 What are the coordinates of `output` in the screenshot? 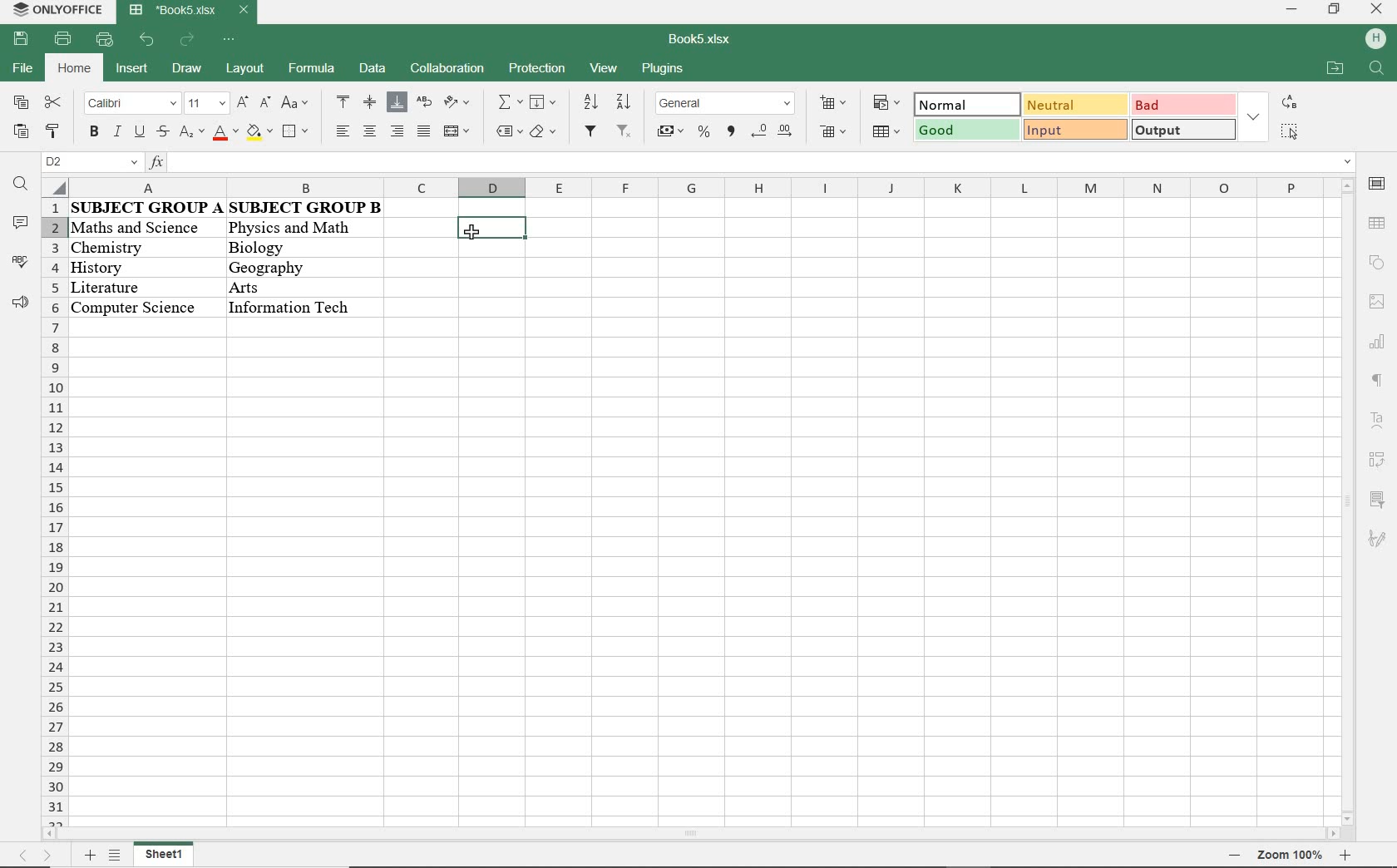 It's located at (1184, 130).